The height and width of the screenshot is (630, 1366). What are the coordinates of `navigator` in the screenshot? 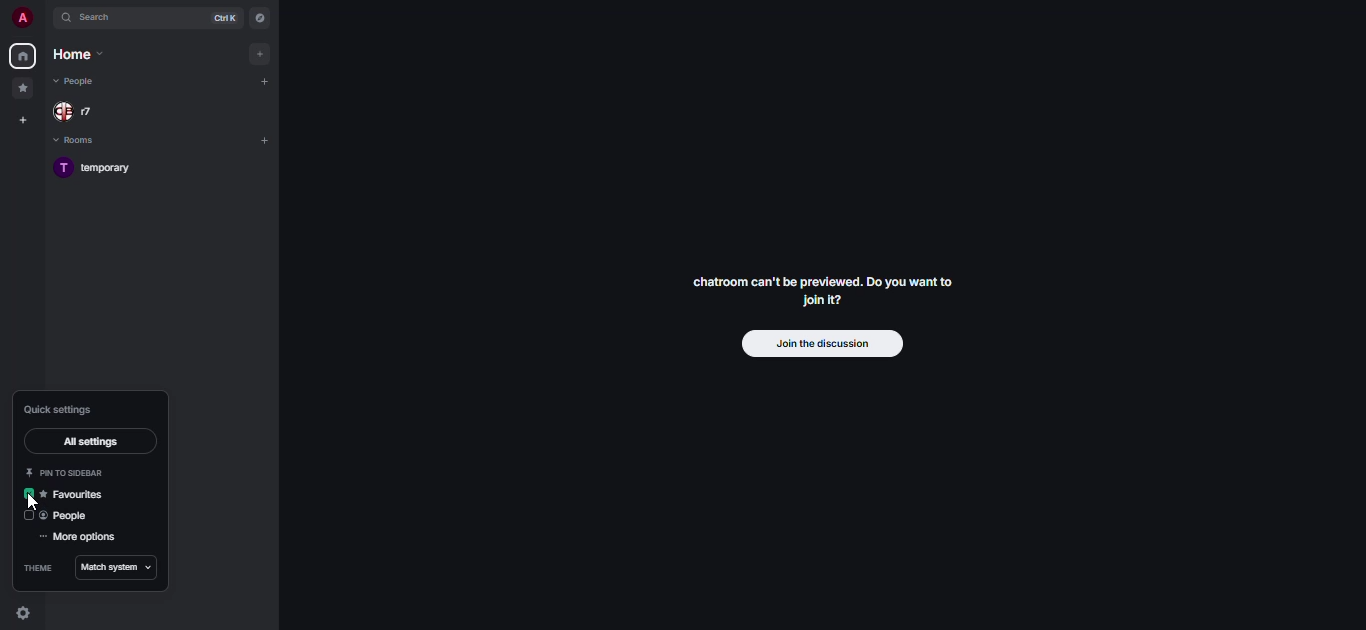 It's located at (263, 18).